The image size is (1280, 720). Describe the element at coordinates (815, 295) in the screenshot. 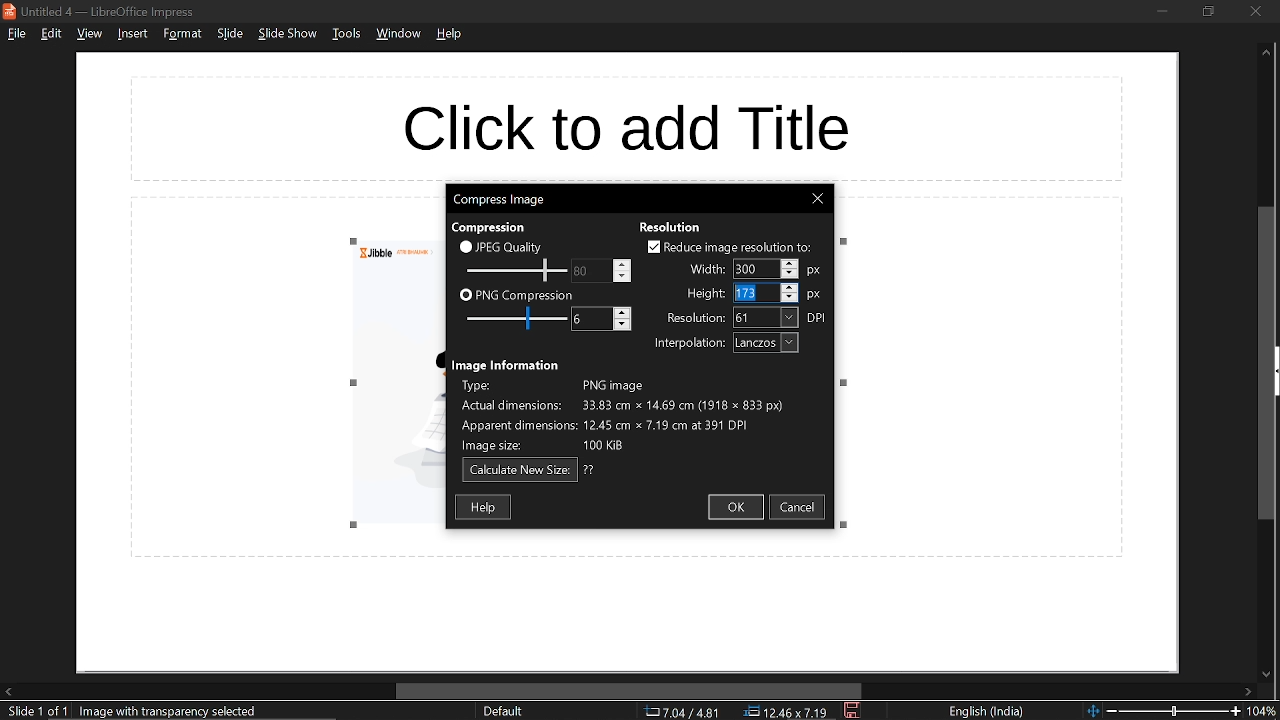

I see `px` at that location.